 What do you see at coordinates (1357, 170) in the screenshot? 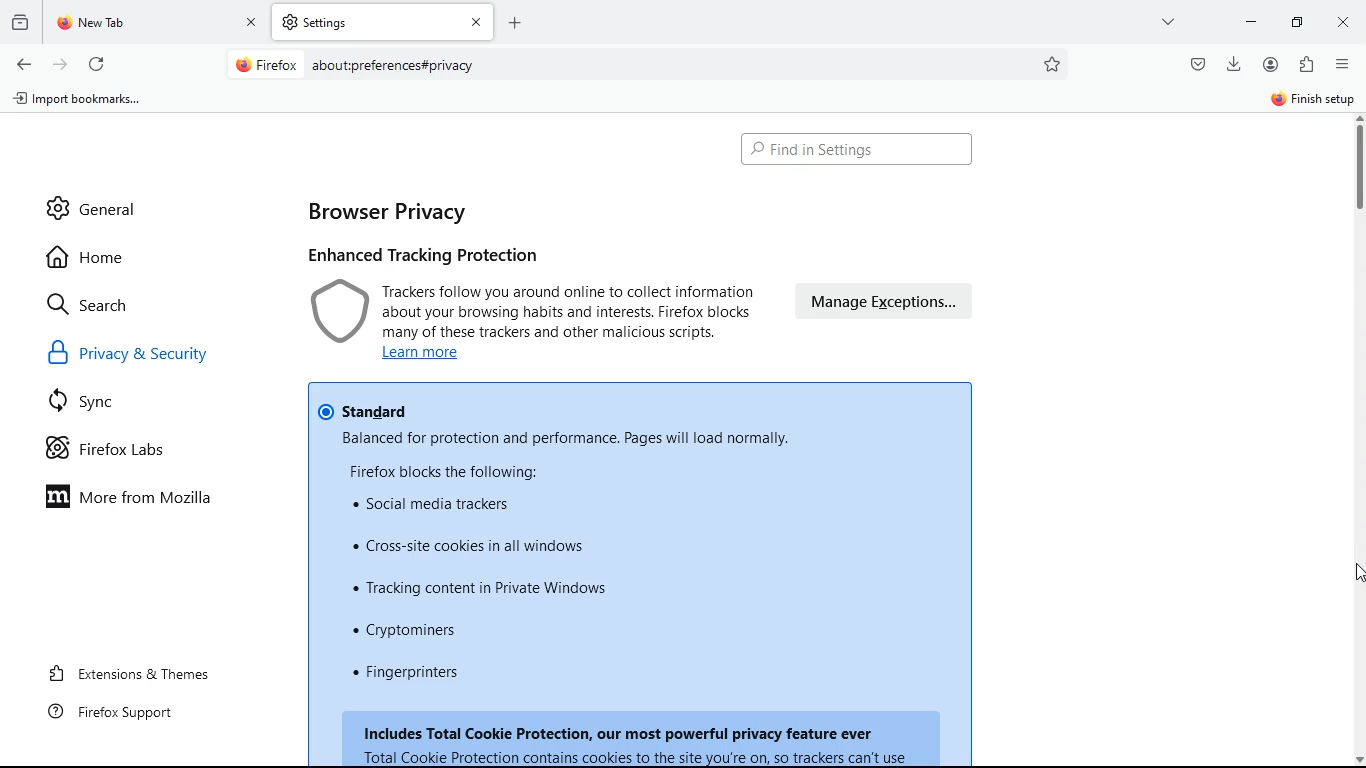
I see `scroll bar` at bounding box center [1357, 170].